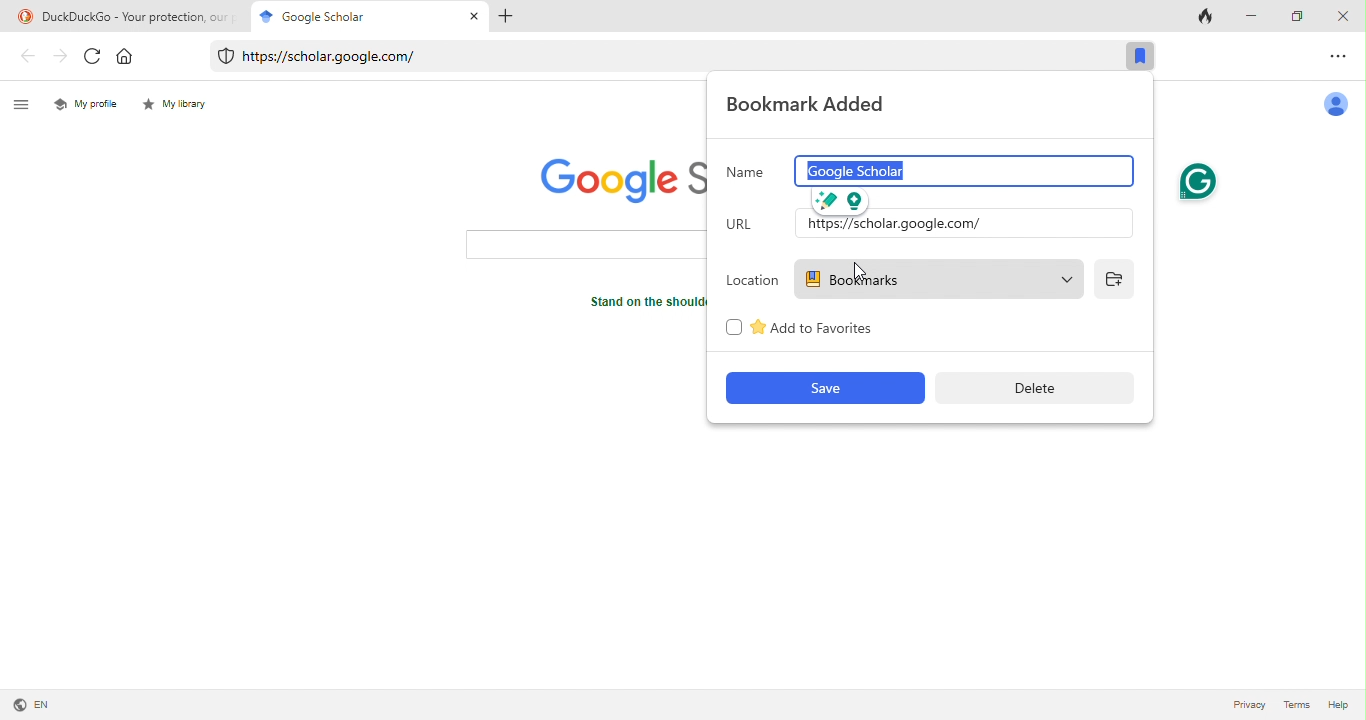 This screenshot has width=1366, height=720. I want to click on my profile, so click(86, 103).